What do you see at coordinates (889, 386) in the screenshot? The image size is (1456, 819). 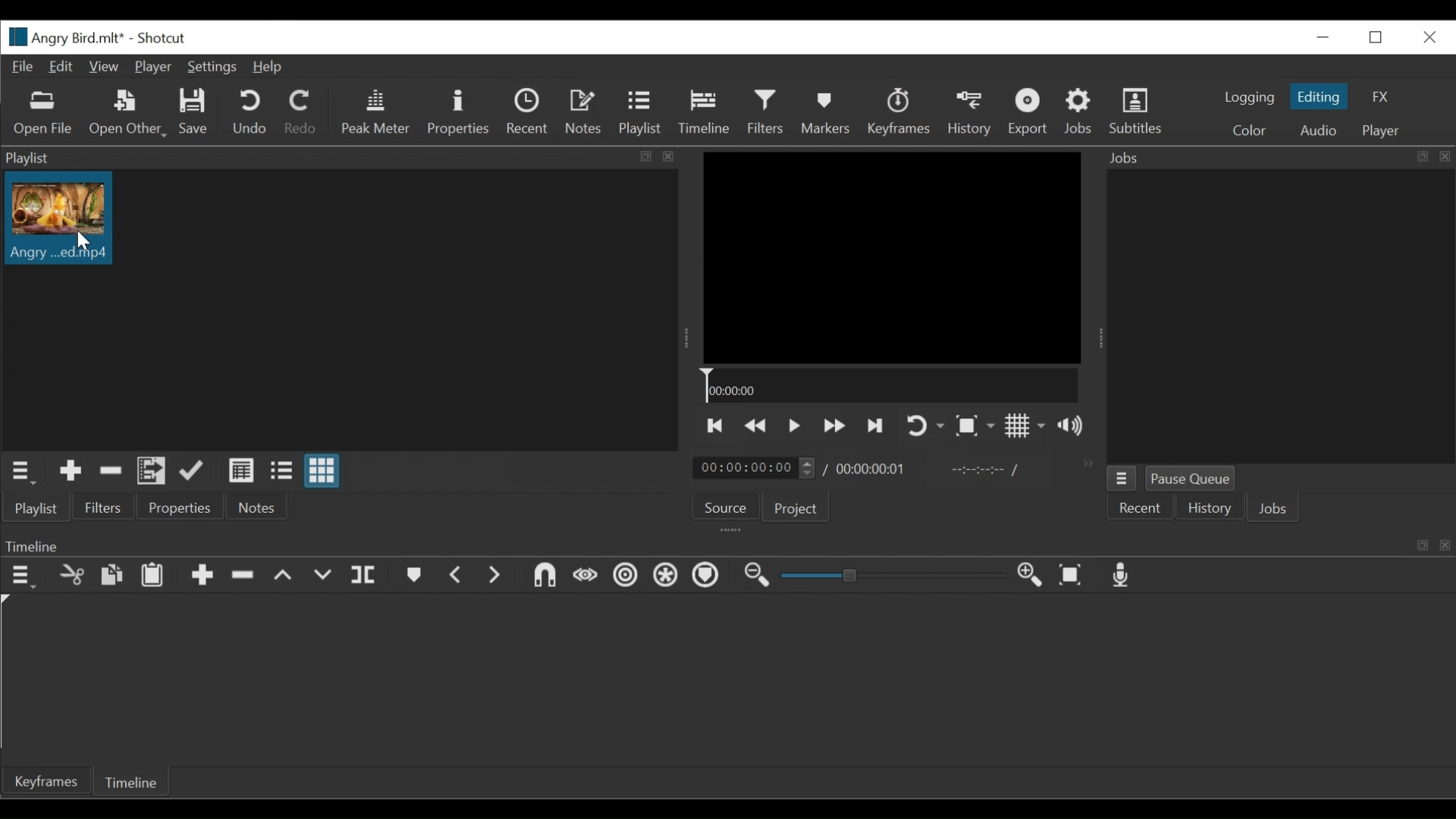 I see `Timeline` at bounding box center [889, 386].